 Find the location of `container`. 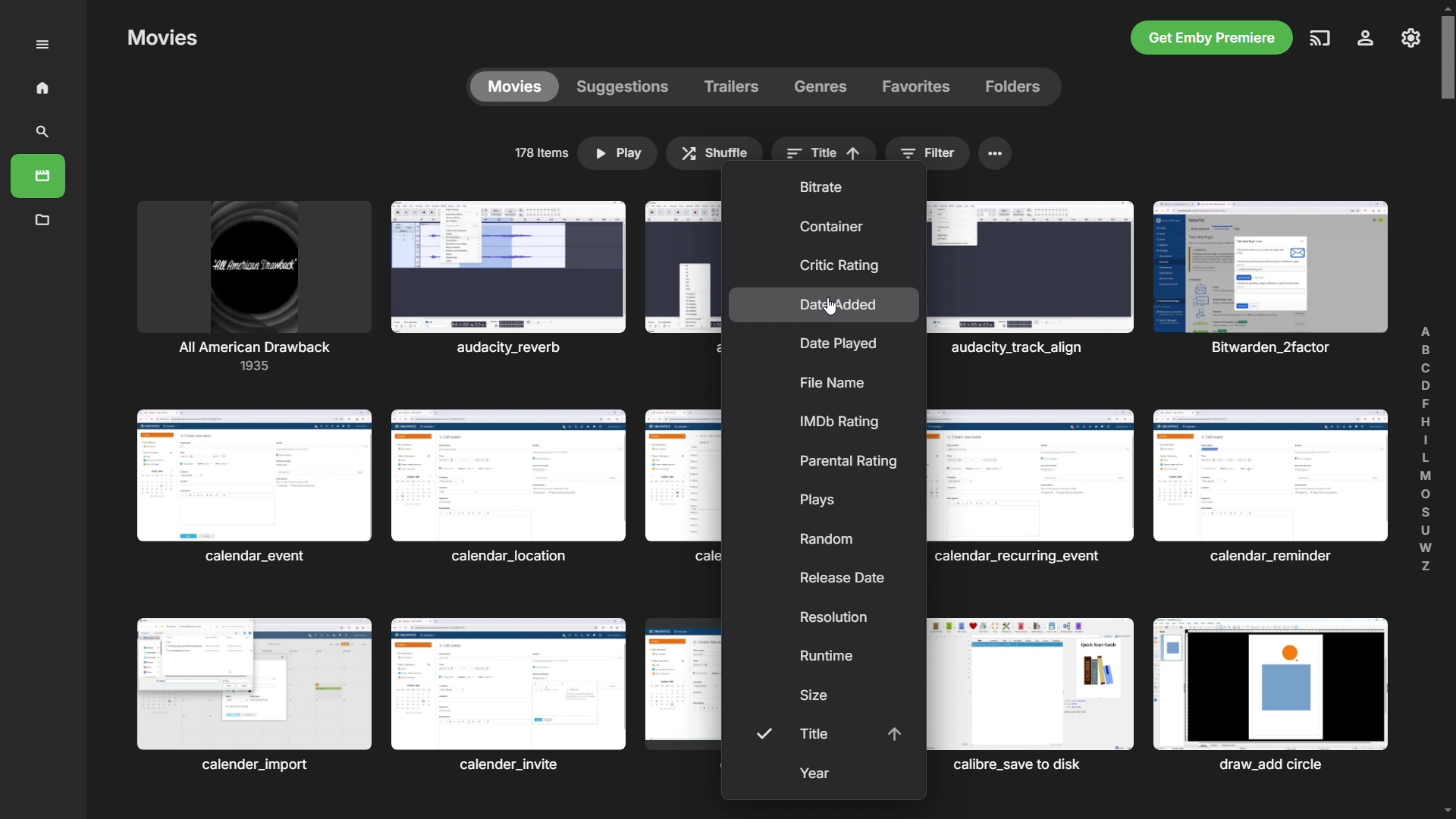

container is located at coordinates (824, 224).